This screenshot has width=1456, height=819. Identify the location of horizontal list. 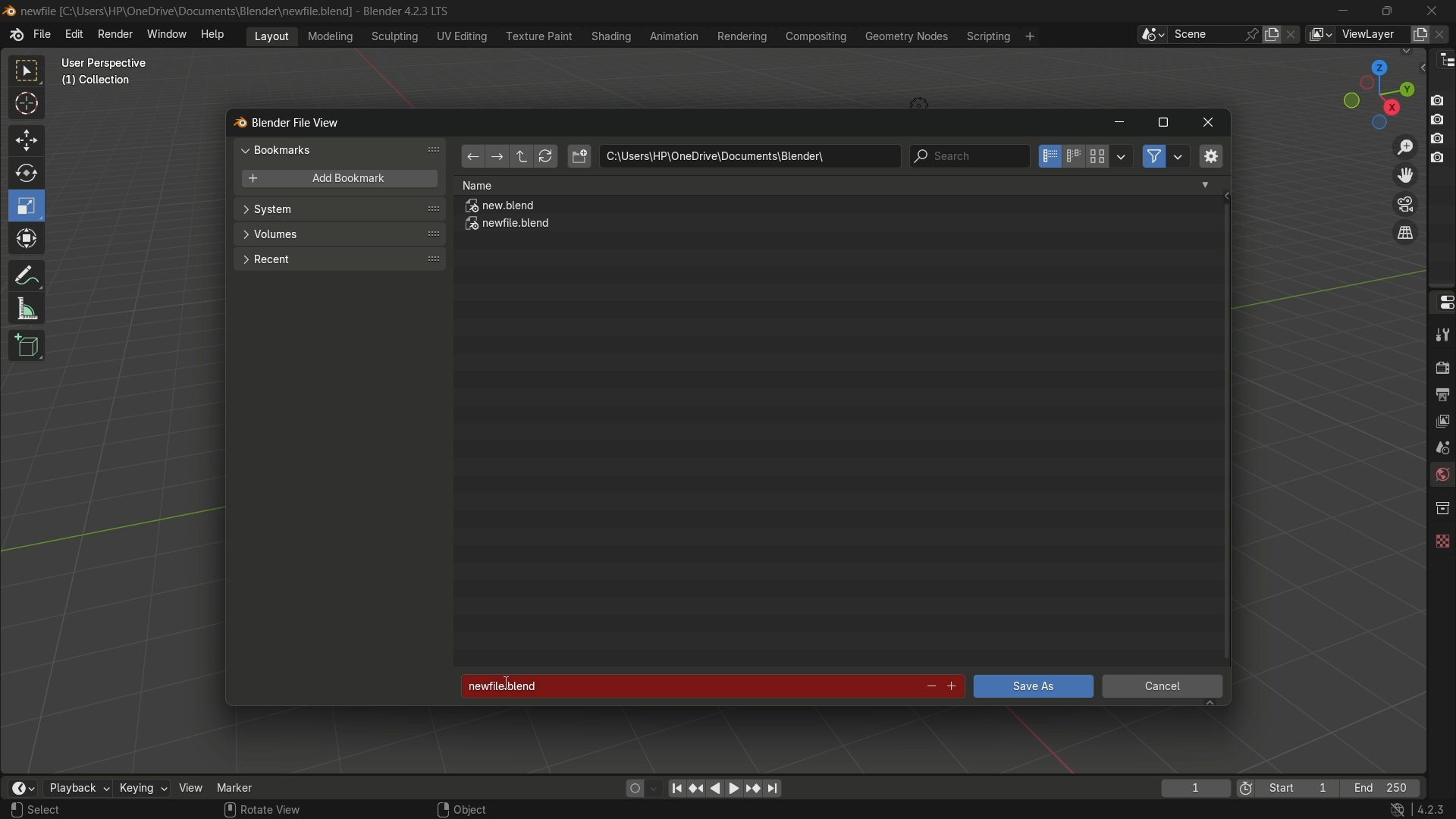
(1073, 156).